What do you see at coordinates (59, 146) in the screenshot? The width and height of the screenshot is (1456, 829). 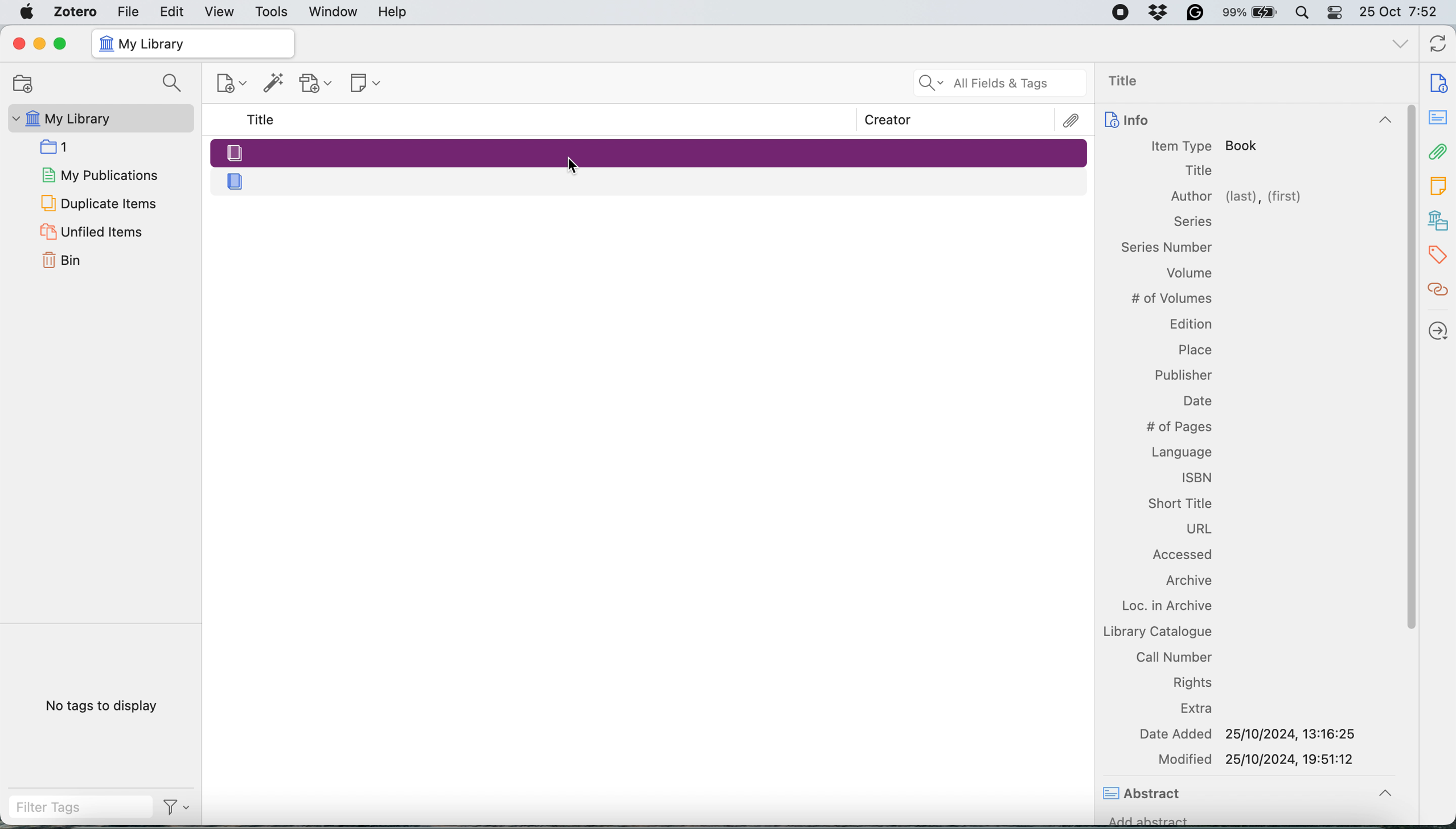 I see `1` at bounding box center [59, 146].